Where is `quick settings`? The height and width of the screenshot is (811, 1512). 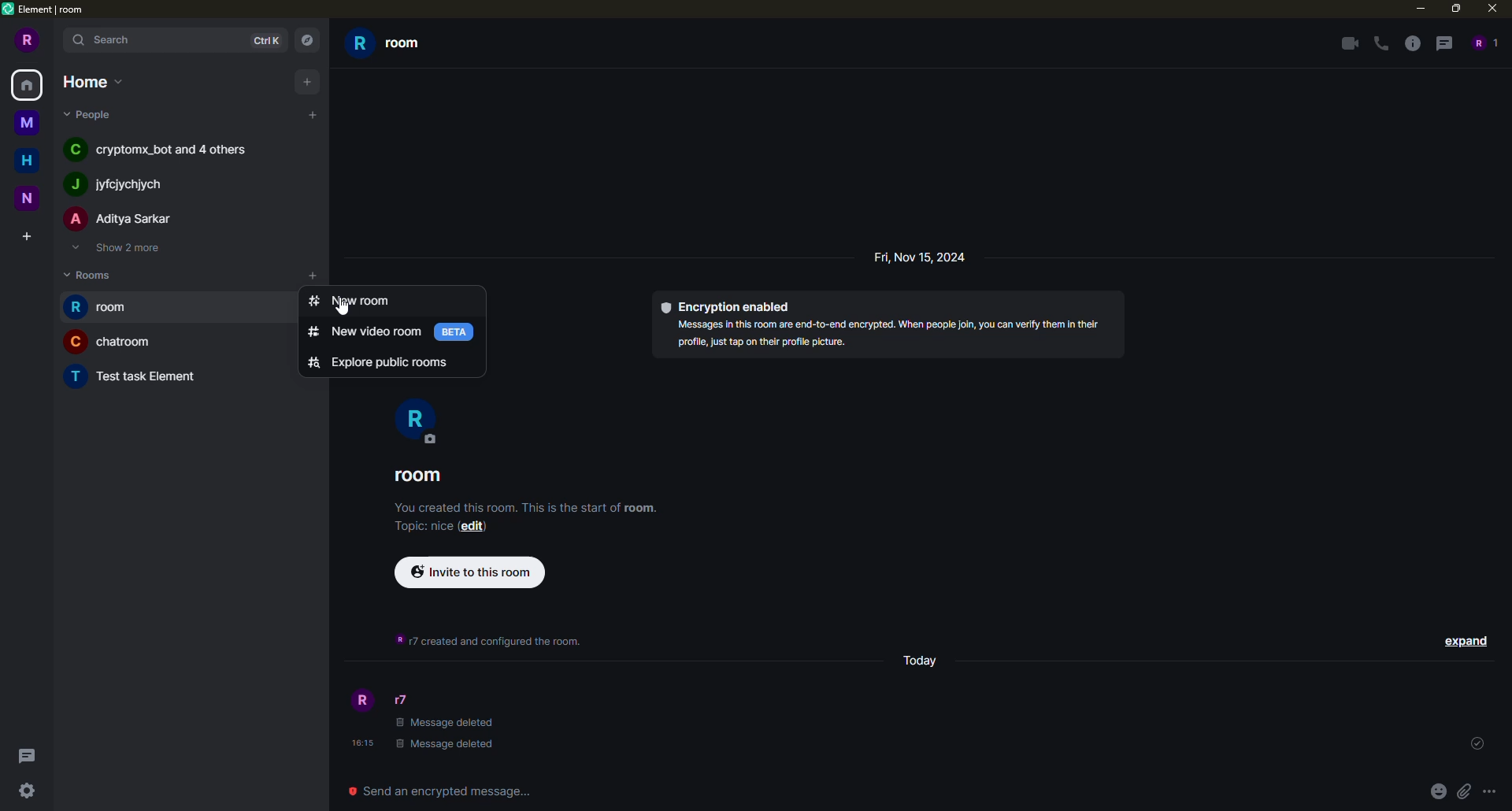 quick settings is located at coordinates (26, 791).